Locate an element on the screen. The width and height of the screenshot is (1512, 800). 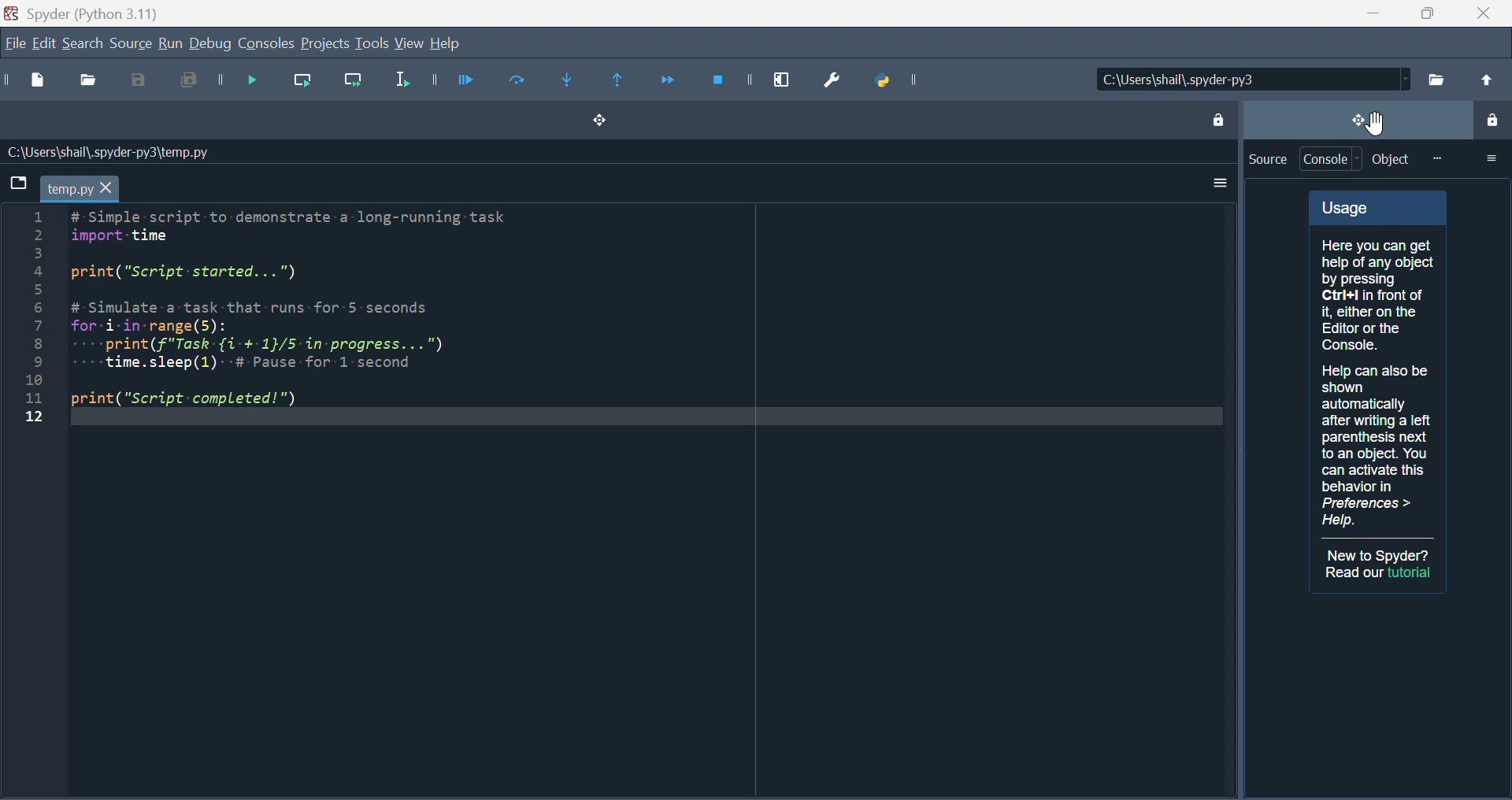
minimise is located at coordinates (1366, 13).